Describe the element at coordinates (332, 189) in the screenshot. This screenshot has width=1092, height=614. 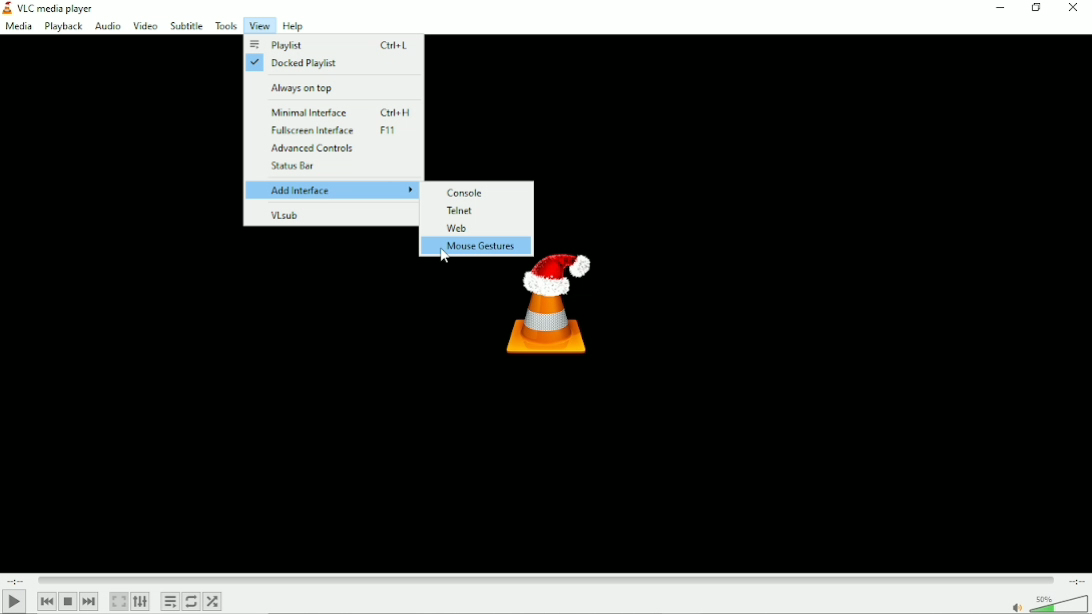
I see `Add interface` at that location.